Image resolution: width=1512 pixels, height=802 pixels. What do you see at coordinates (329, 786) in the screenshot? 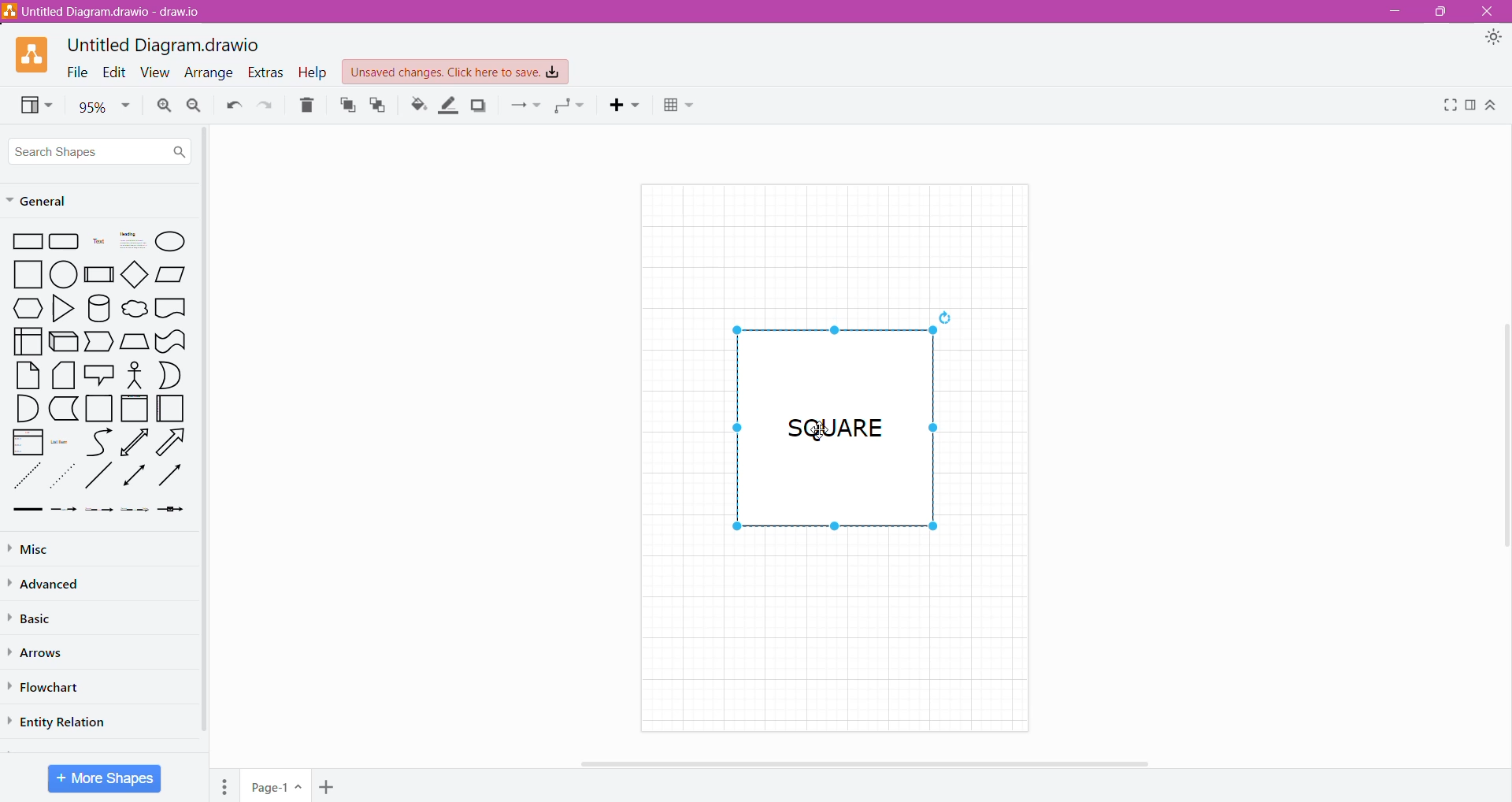
I see `Add Page` at bounding box center [329, 786].